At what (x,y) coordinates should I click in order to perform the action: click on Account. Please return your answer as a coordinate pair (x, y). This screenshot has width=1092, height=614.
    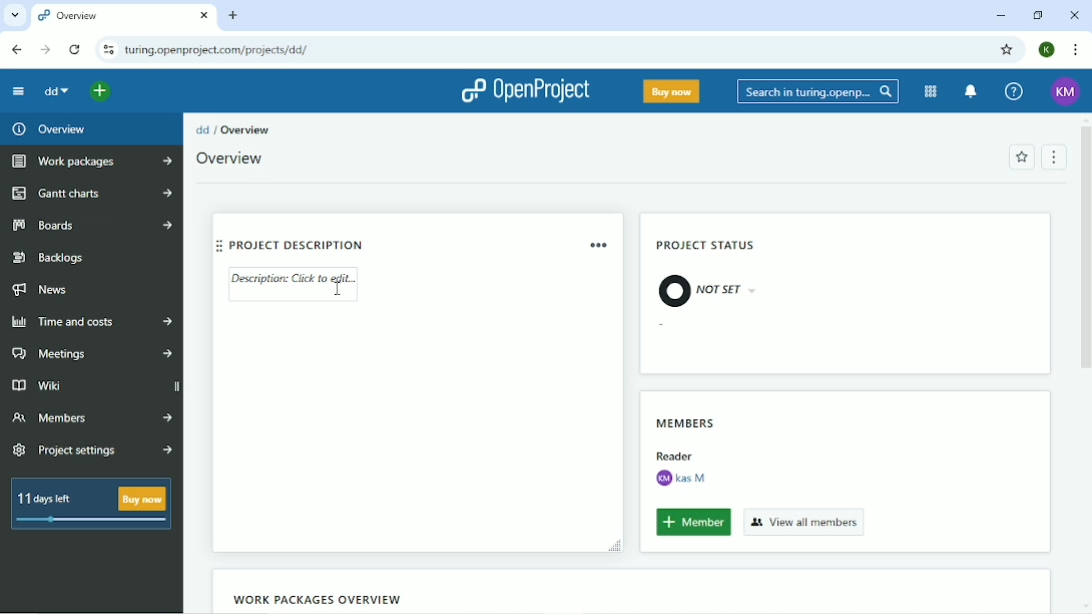
    Looking at the image, I should click on (1066, 91).